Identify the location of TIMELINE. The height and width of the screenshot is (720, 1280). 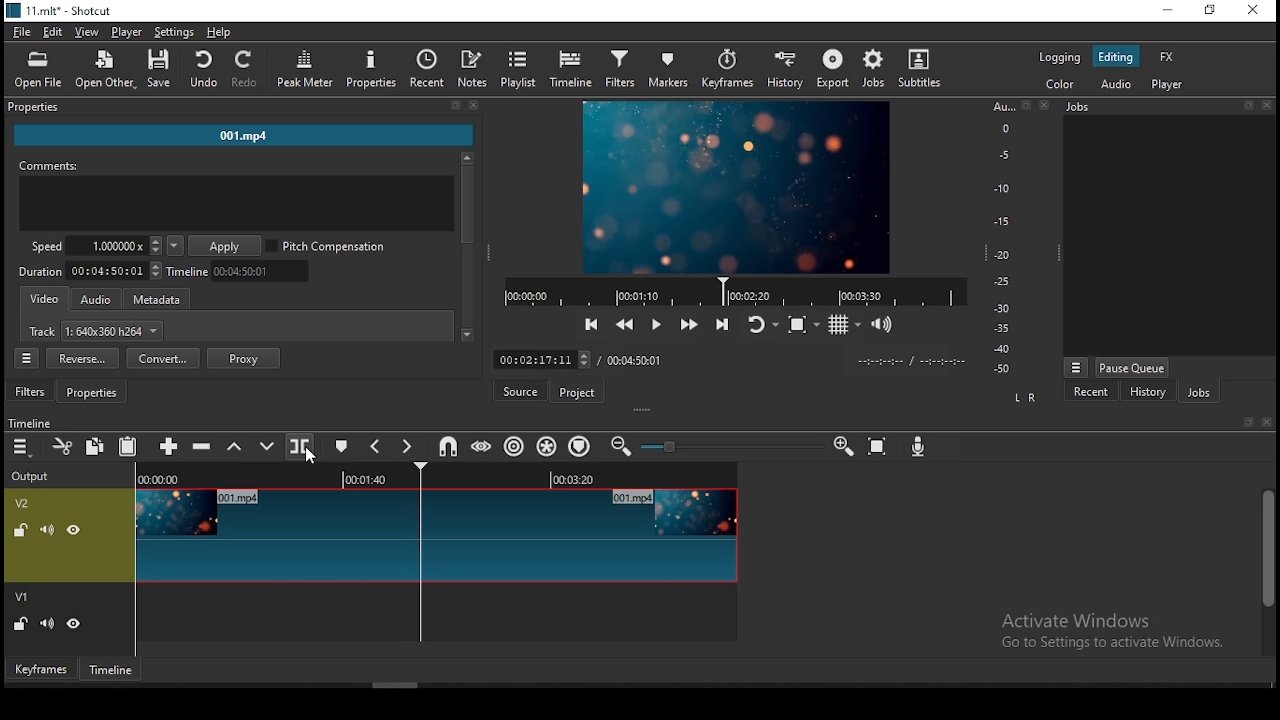
(438, 475).